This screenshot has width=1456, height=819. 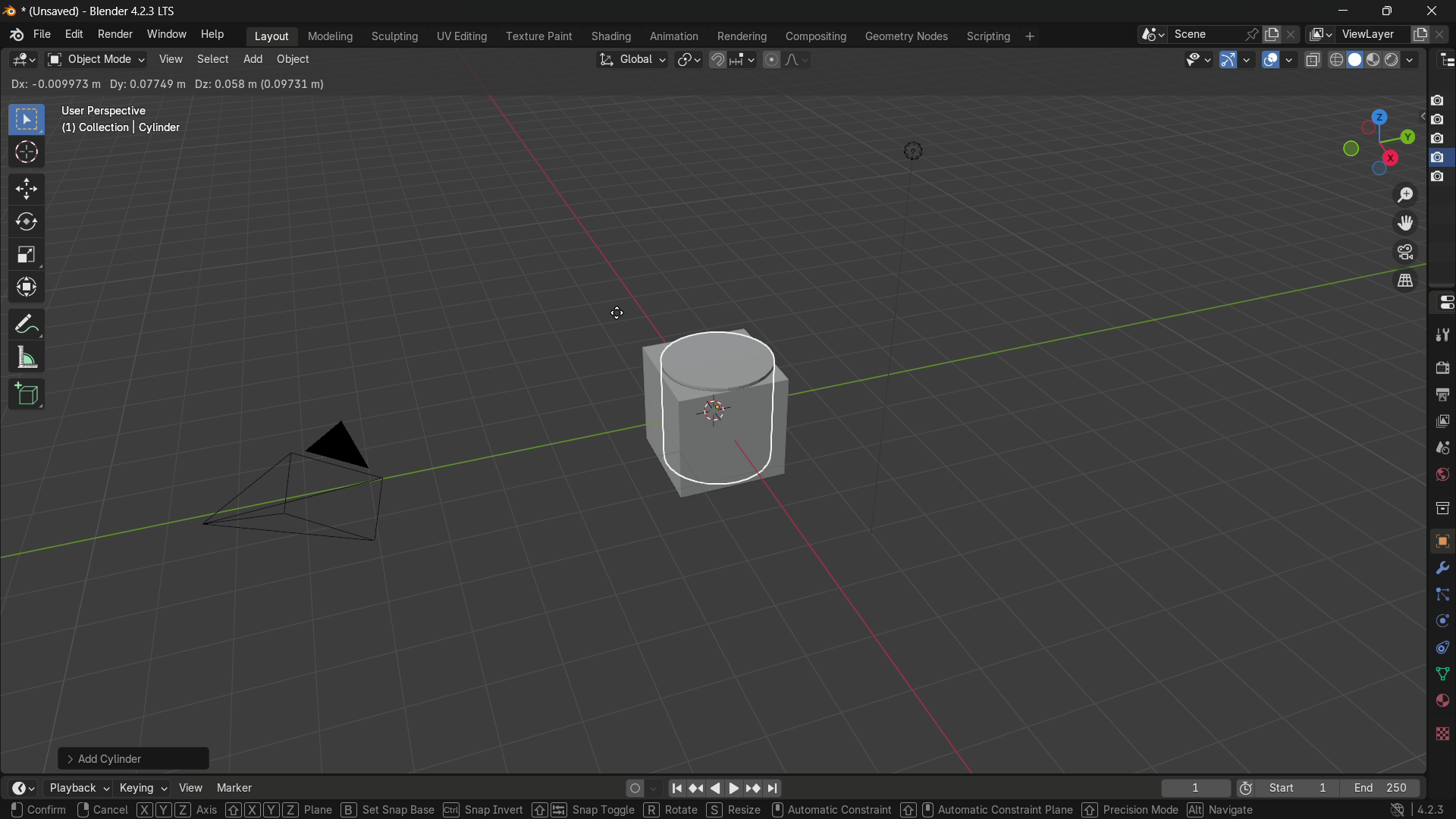 What do you see at coordinates (690, 59) in the screenshot?
I see `transformation pivot table` at bounding box center [690, 59].